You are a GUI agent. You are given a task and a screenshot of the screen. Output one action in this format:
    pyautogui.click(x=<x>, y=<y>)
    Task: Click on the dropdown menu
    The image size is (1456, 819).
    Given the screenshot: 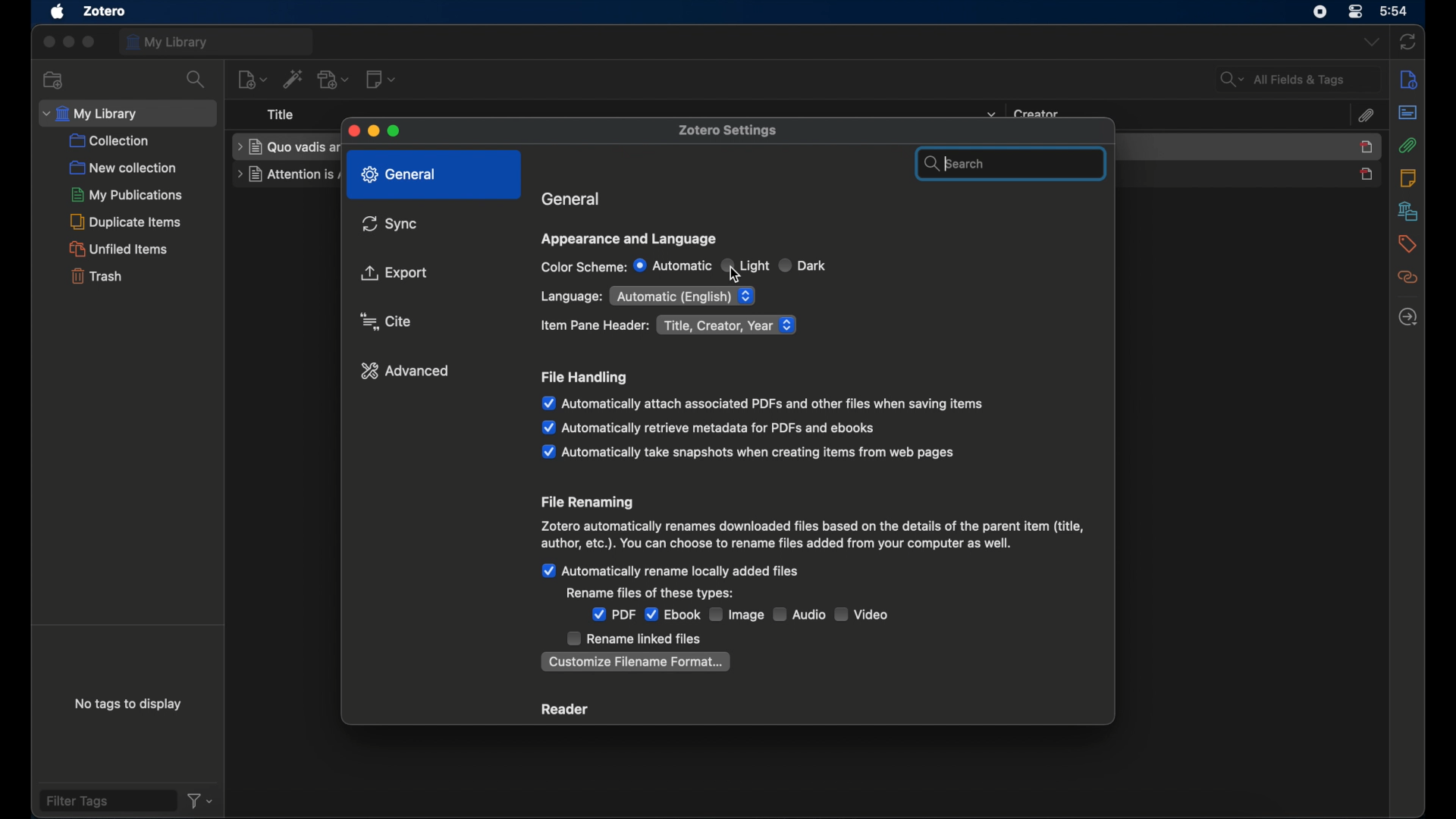 What is the action you would take?
    pyautogui.click(x=1370, y=43)
    